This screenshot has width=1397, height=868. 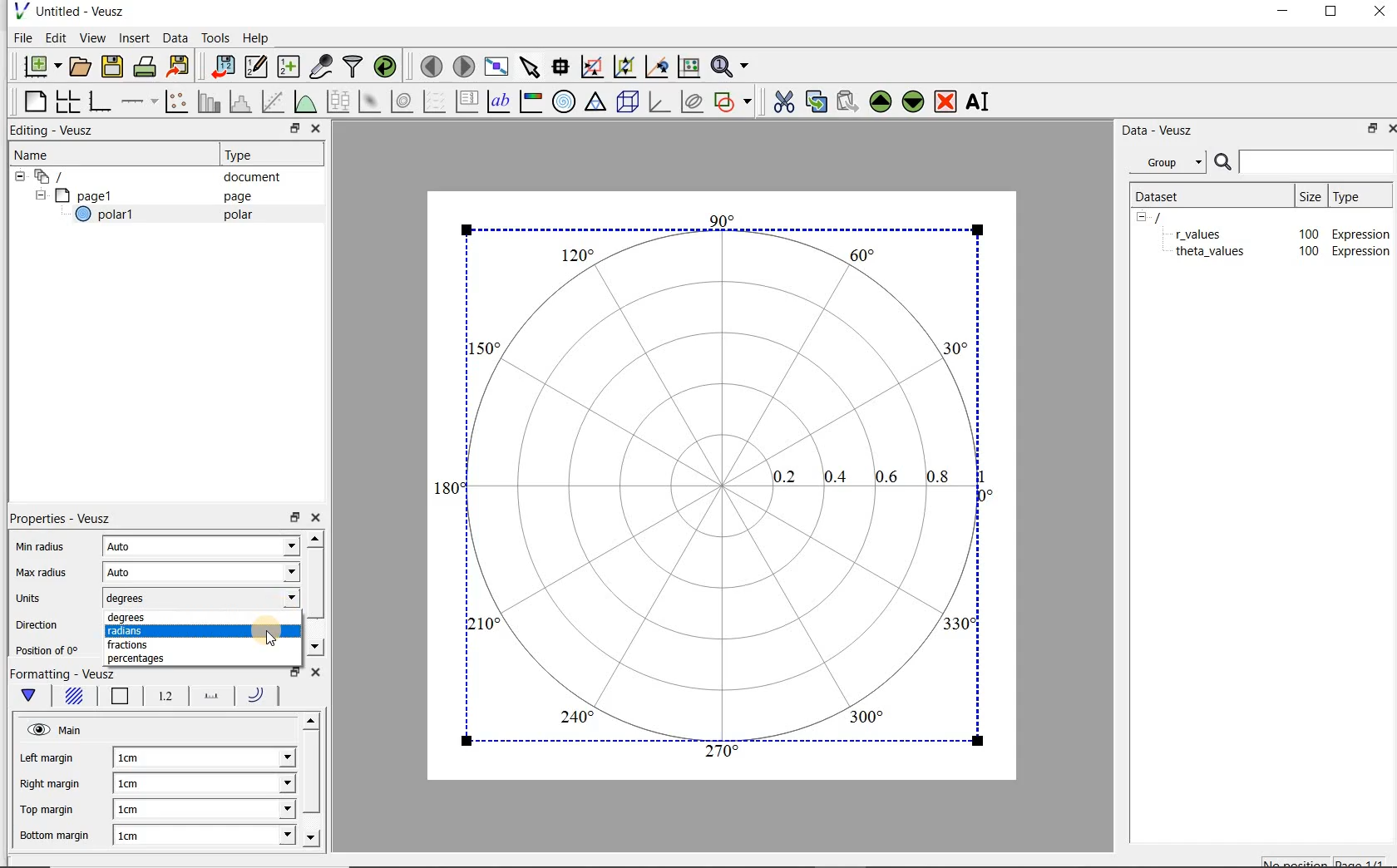 I want to click on Edit and enter new datasets, so click(x=257, y=67).